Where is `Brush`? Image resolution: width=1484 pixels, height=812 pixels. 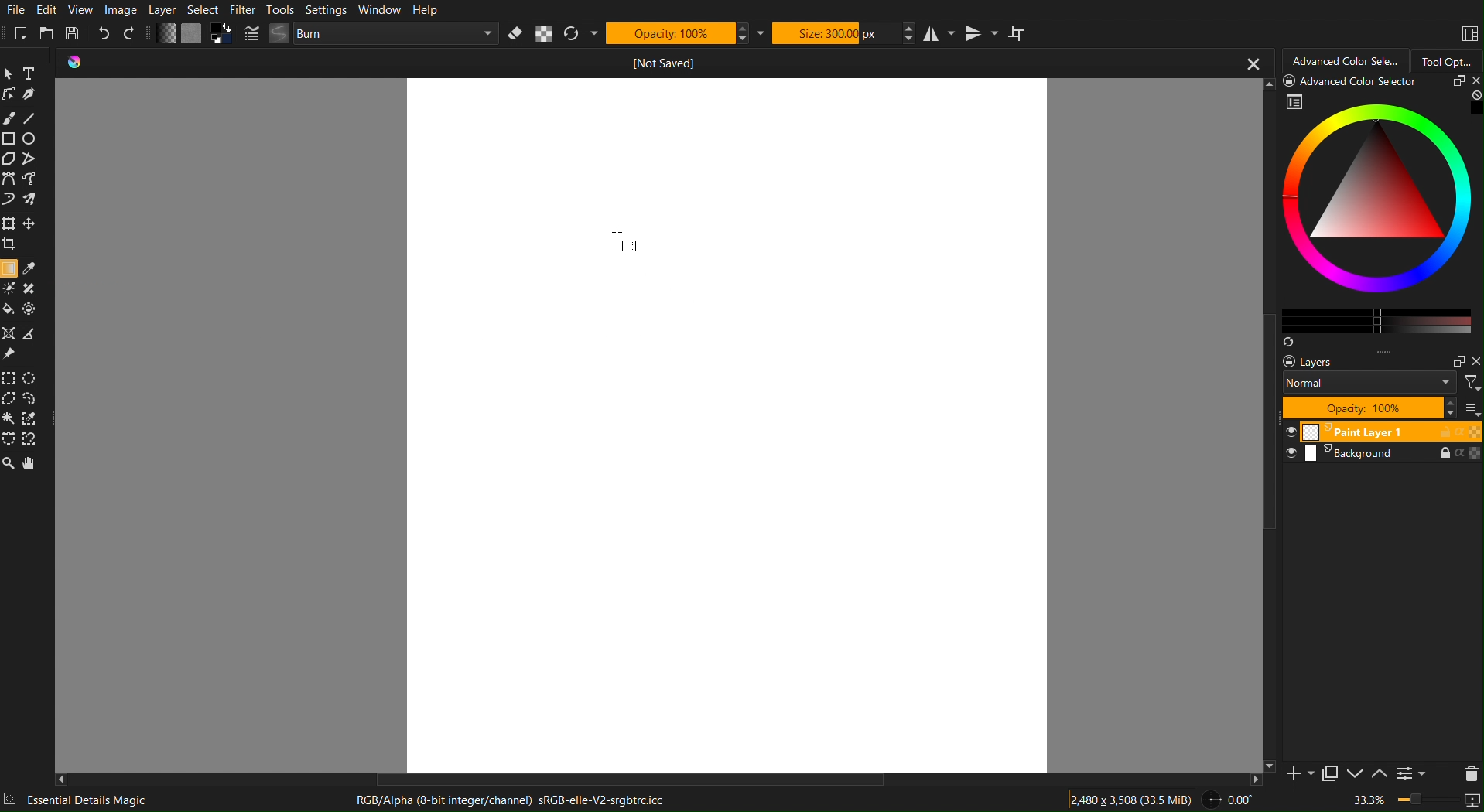
Brush is located at coordinates (9, 118).